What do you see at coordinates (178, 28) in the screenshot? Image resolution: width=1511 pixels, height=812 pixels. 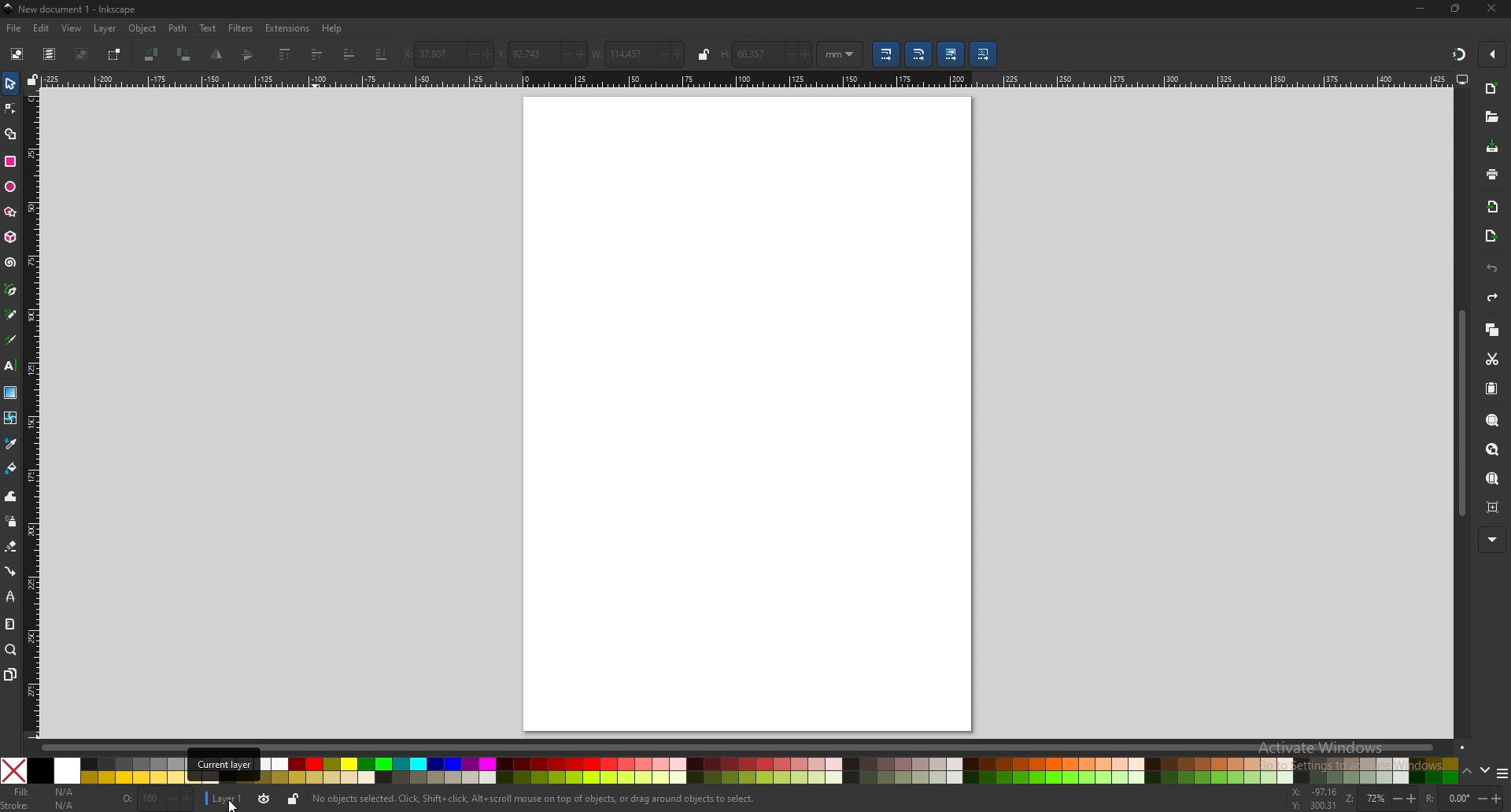 I see `path` at bounding box center [178, 28].